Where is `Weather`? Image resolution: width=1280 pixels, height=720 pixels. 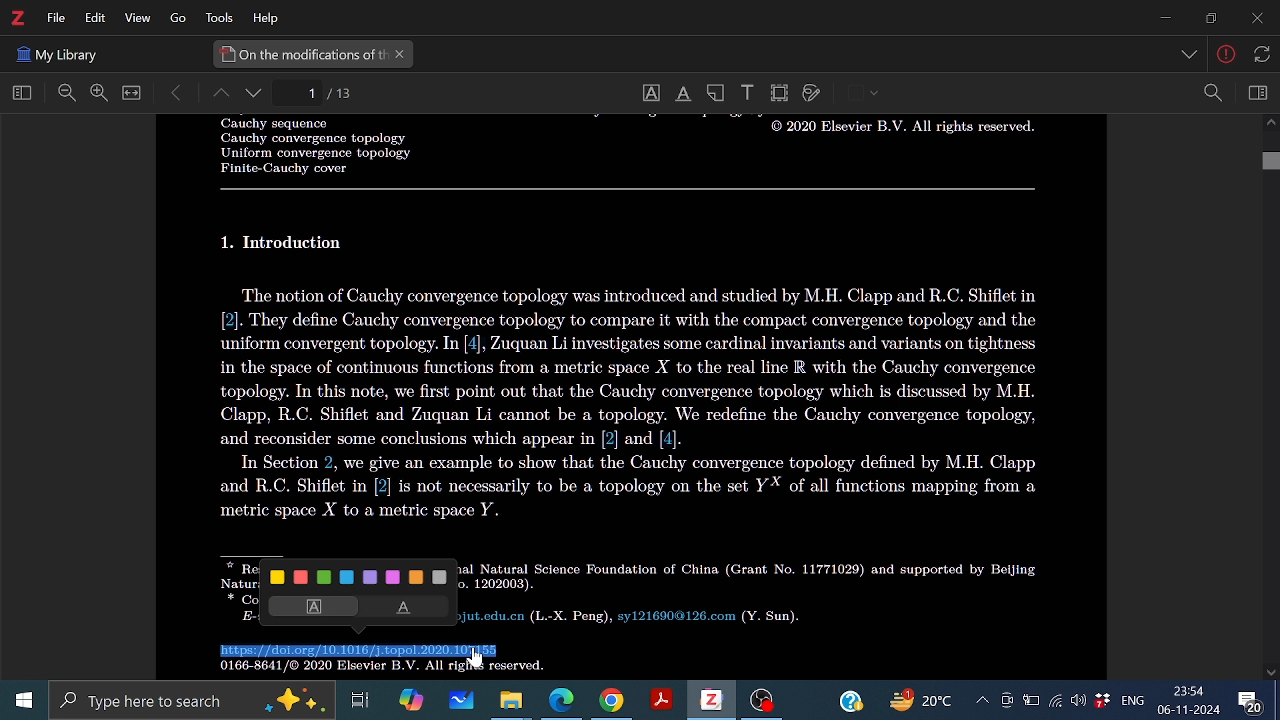
Weather is located at coordinates (925, 701).